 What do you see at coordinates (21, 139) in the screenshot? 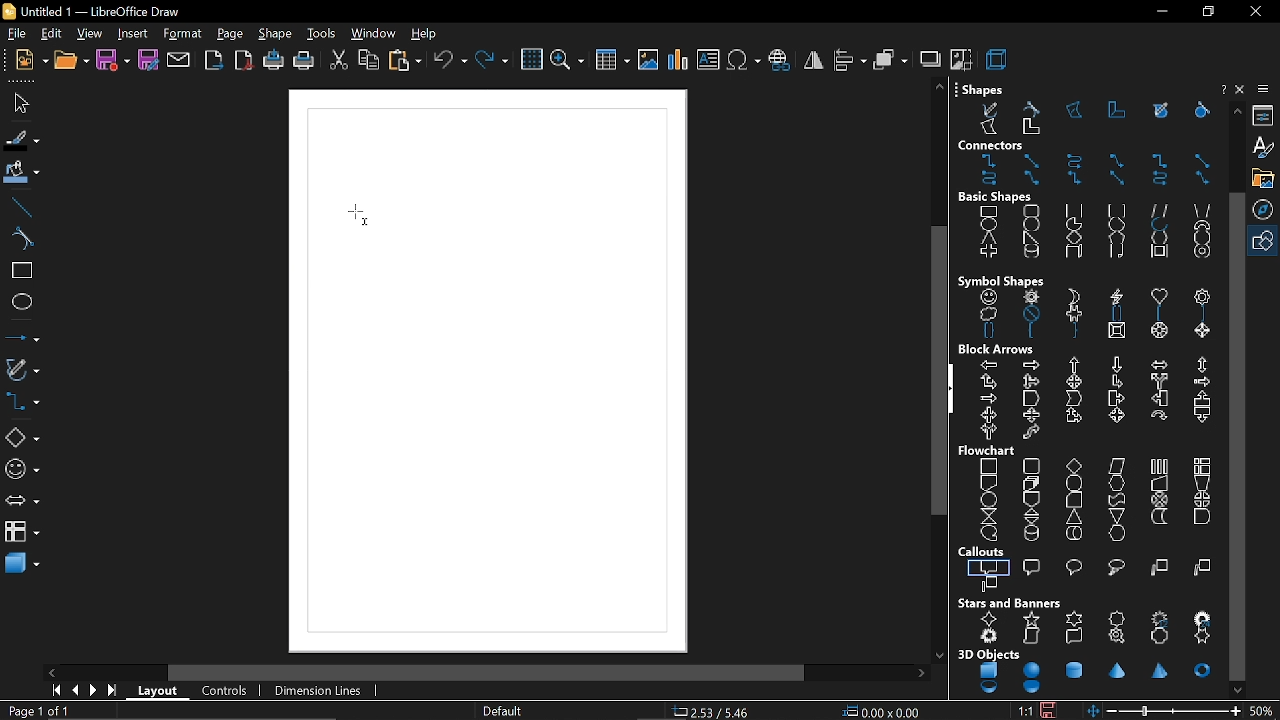
I see `fill line` at bounding box center [21, 139].